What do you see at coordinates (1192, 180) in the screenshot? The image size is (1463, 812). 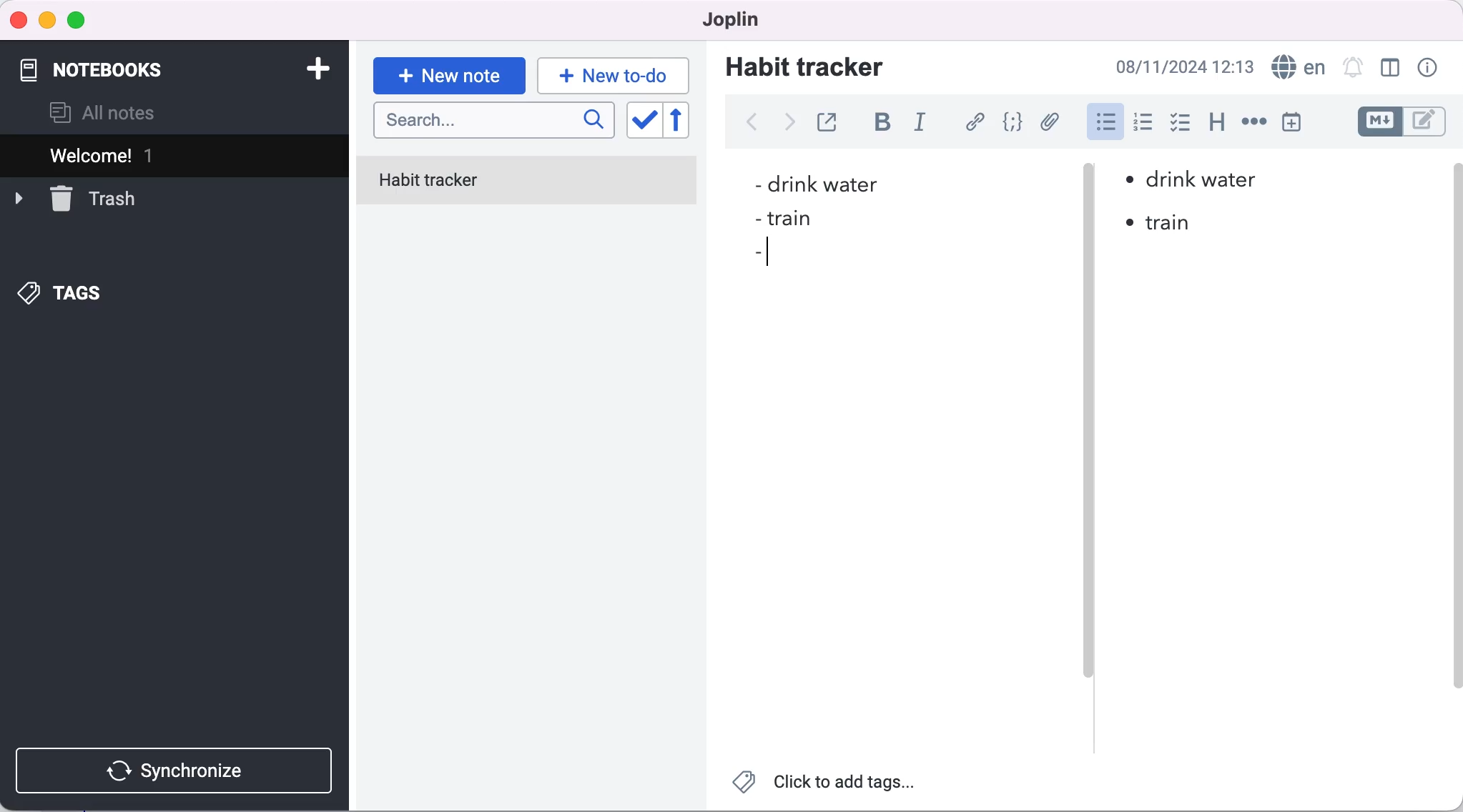 I see `• drink water` at bounding box center [1192, 180].